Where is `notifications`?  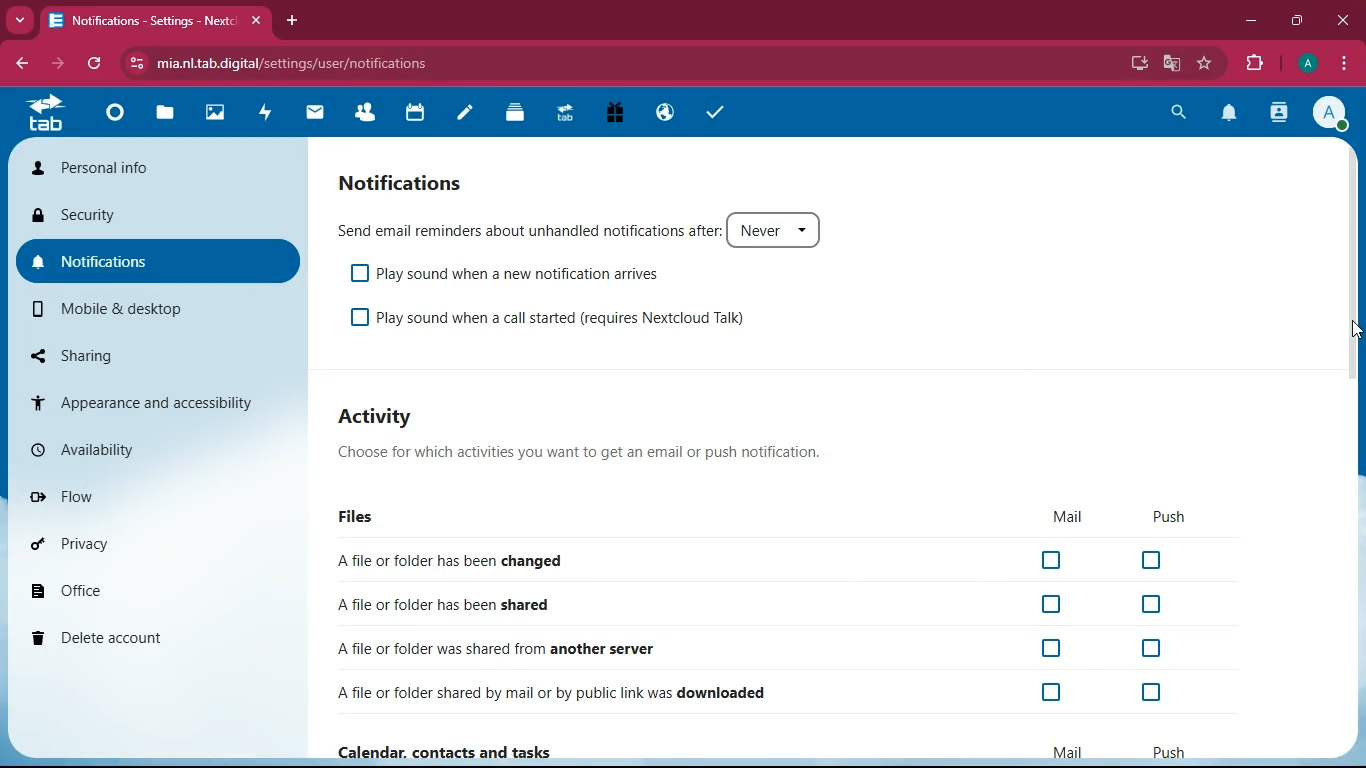 notifications is located at coordinates (159, 263).